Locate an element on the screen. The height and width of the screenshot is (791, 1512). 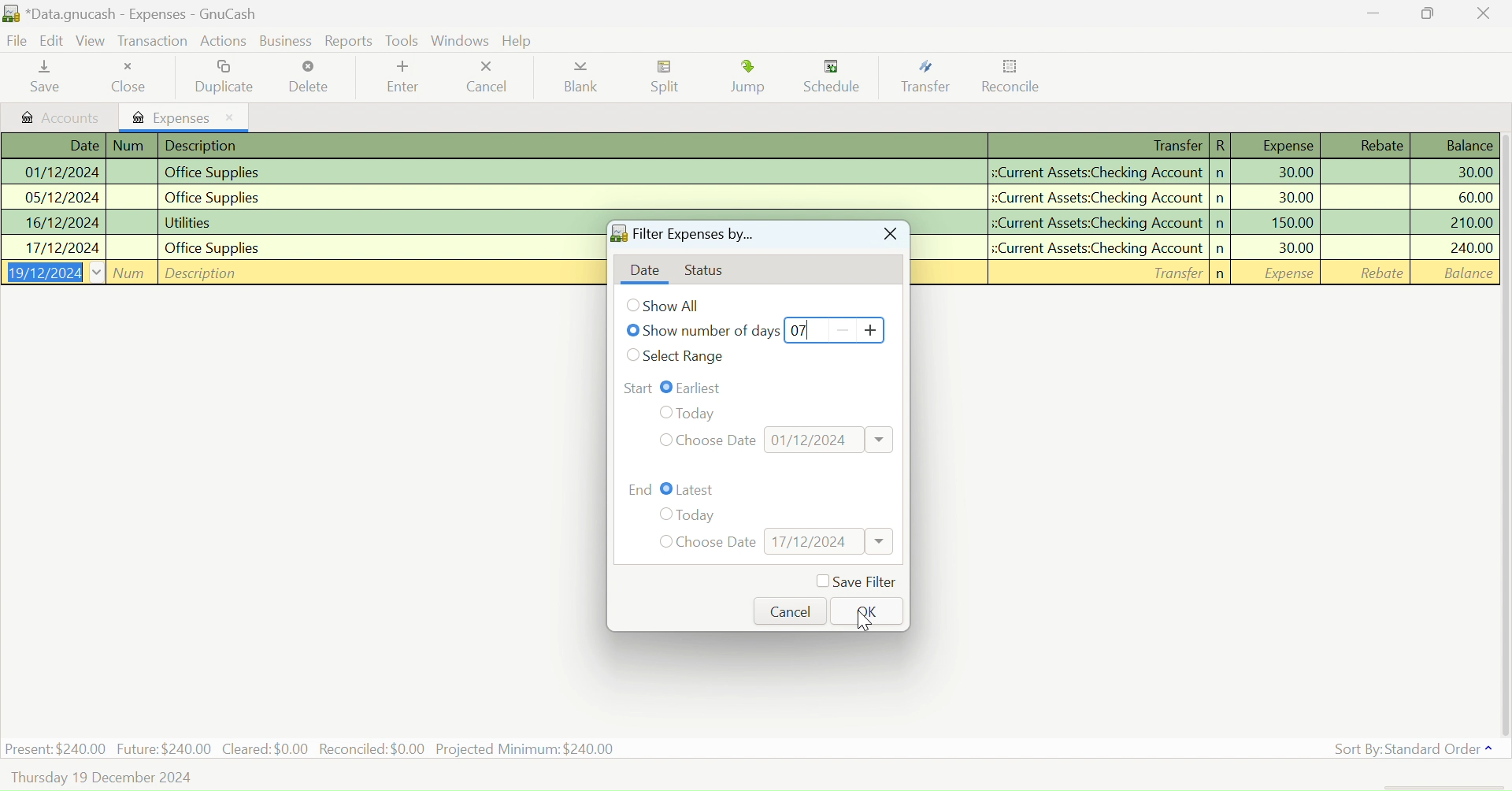
Sort By: Standard Order is located at coordinates (1410, 749).